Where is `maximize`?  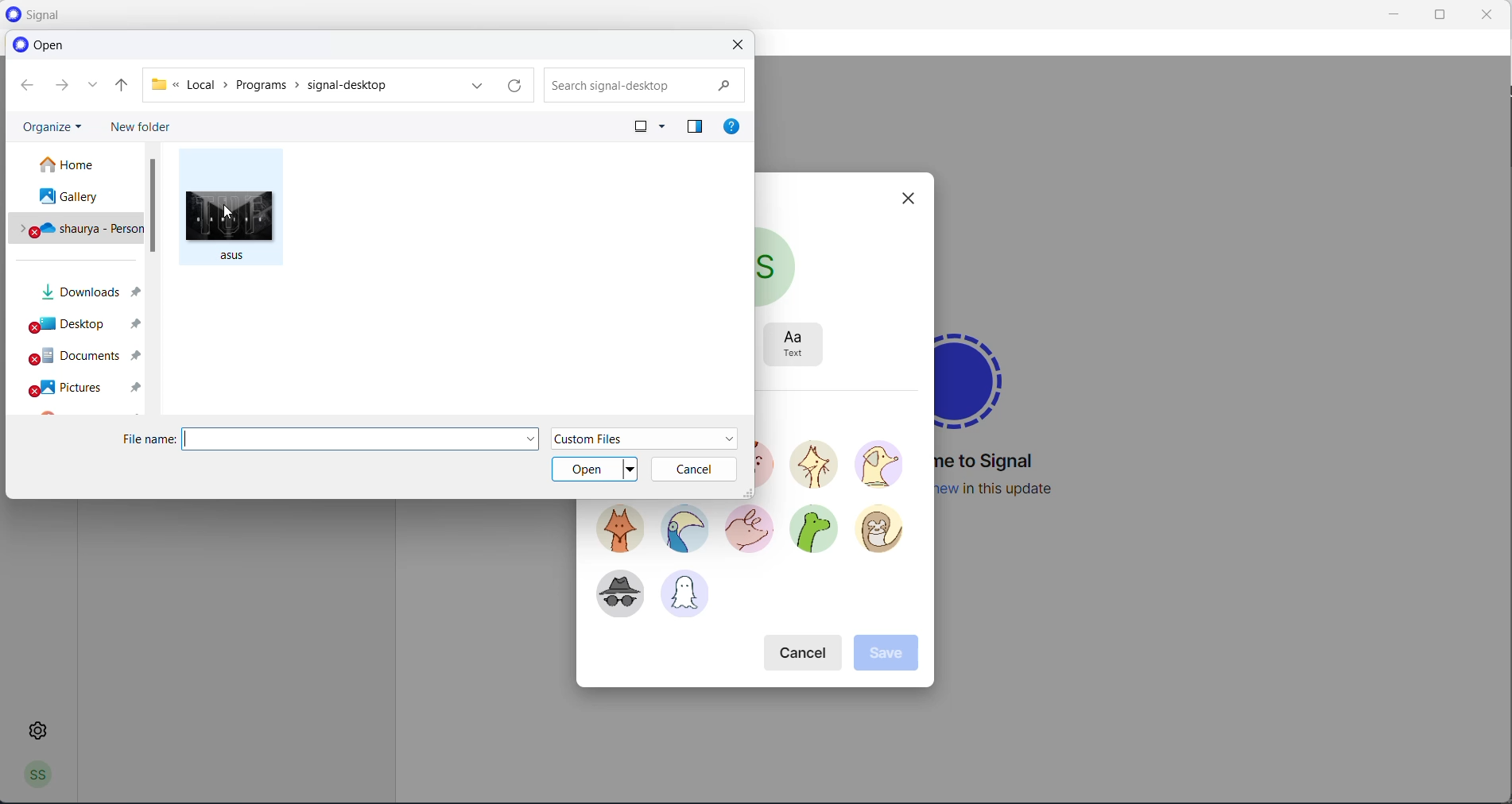 maximize is located at coordinates (1436, 15).